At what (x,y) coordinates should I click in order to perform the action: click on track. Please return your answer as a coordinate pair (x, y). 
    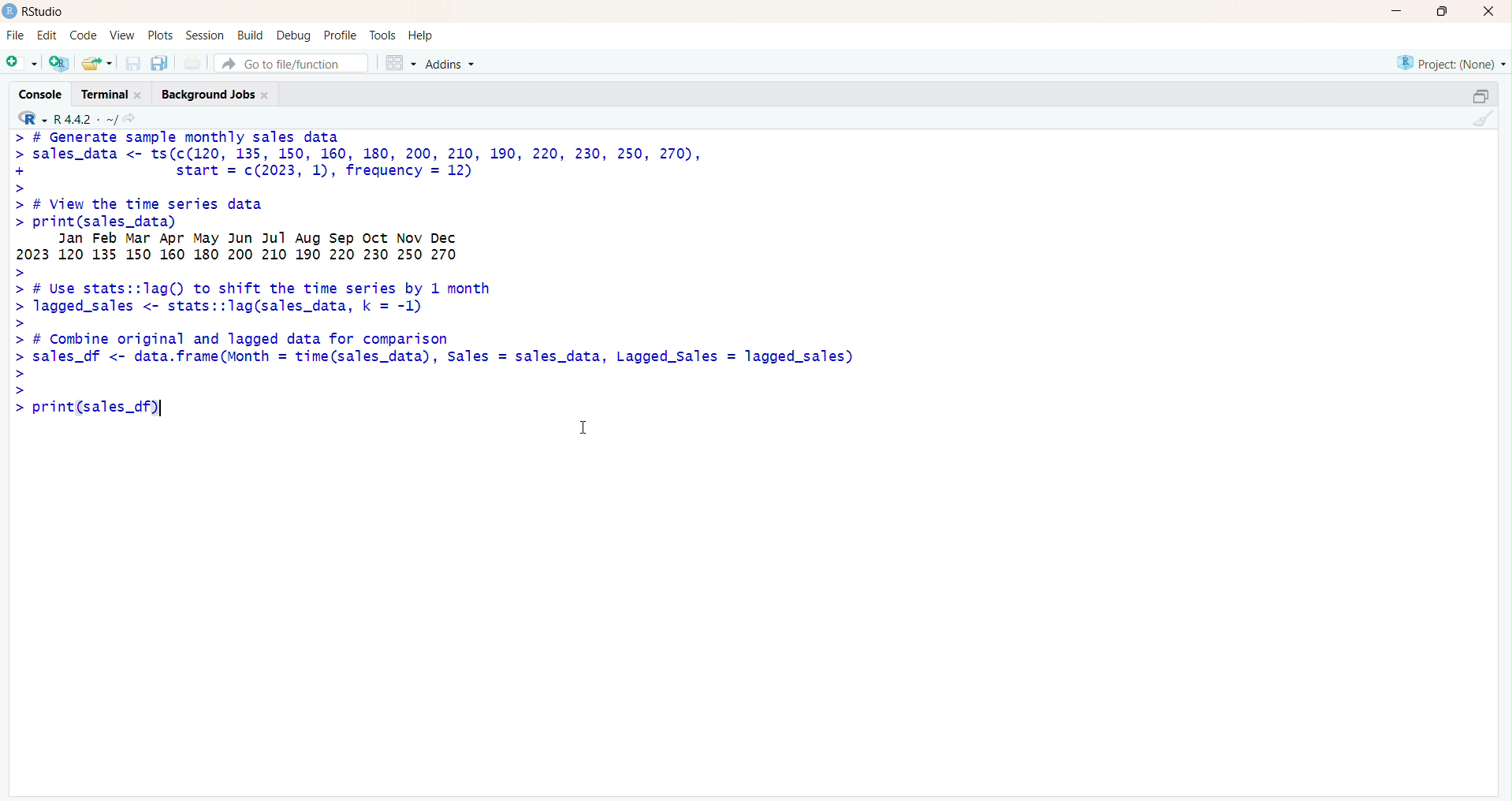
    Looking at the image, I should click on (384, 34).